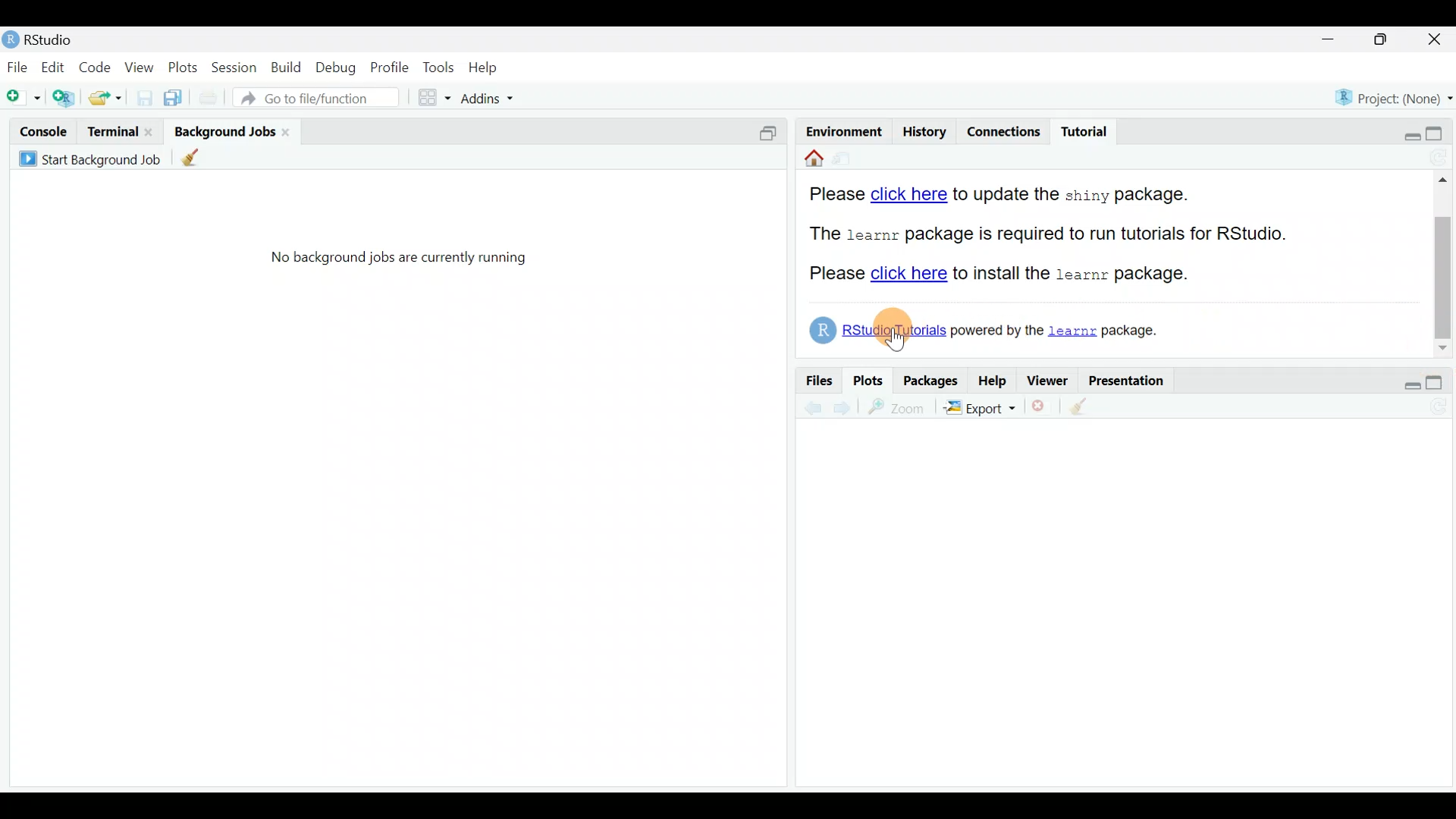  What do you see at coordinates (223, 131) in the screenshot?
I see `Background jobs` at bounding box center [223, 131].